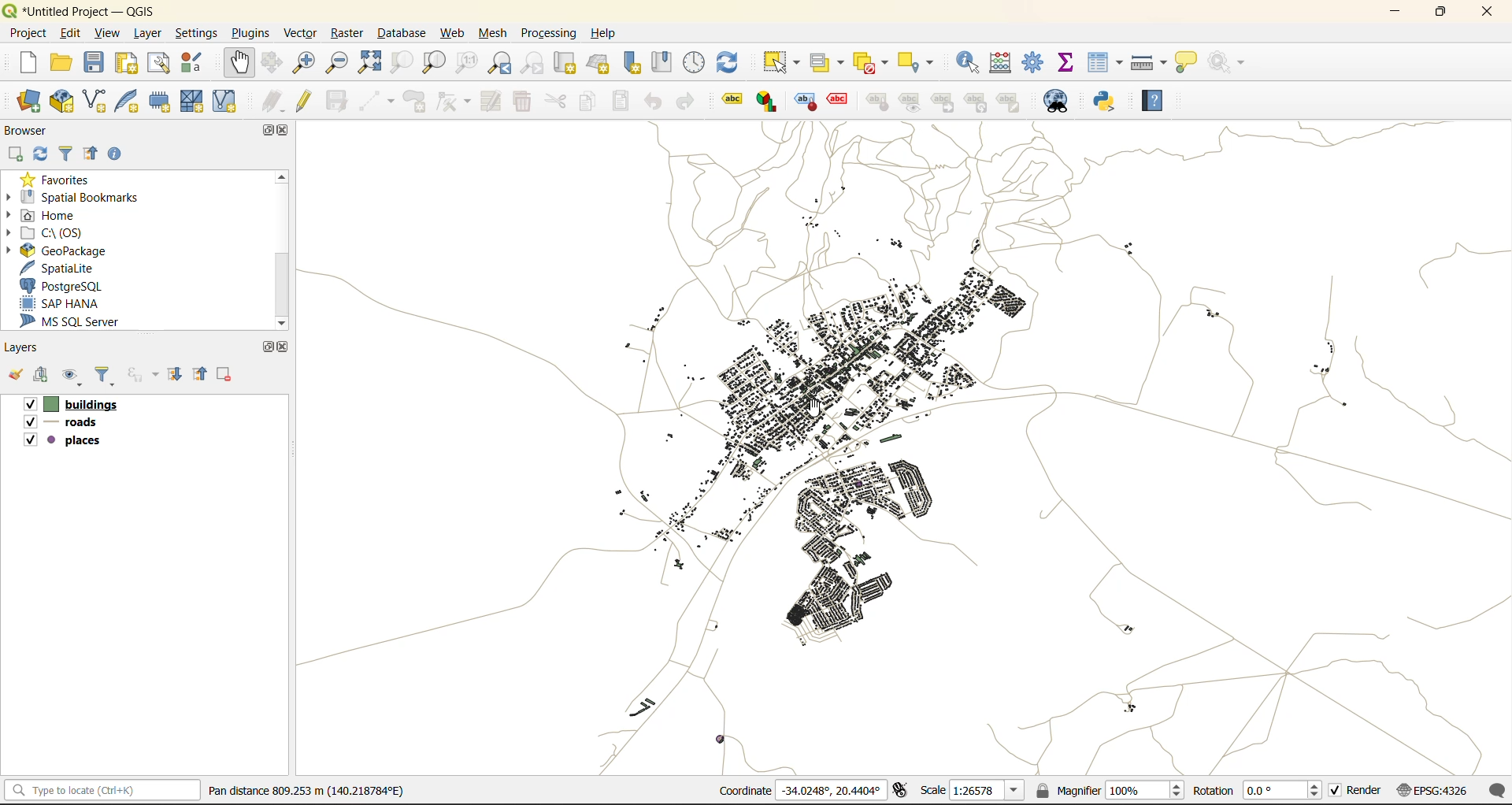 This screenshot has height=805, width=1512. Describe the element at coordinates (1225, 63) in the screenshot. I see `no action` at that location.